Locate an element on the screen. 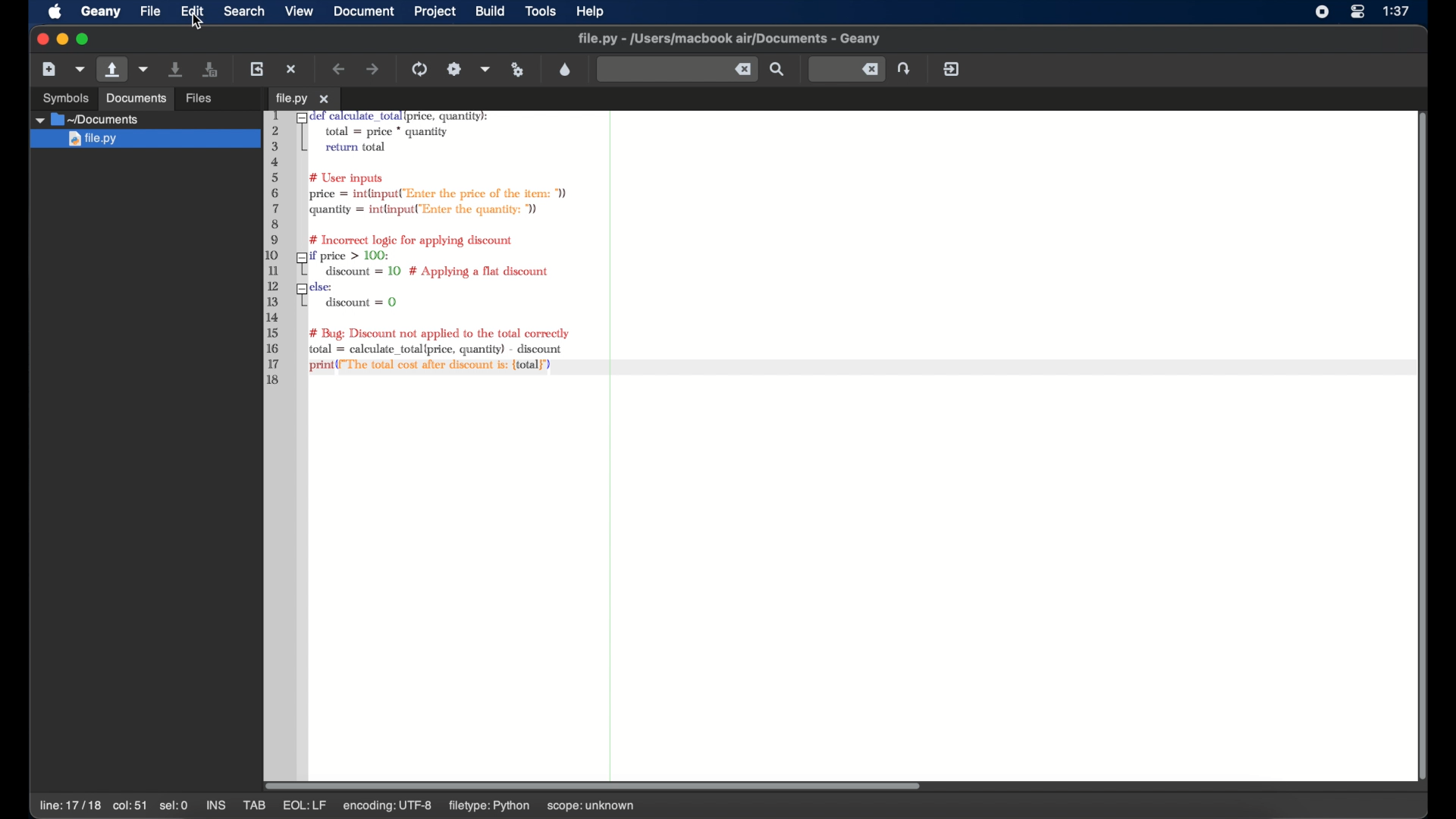 The width and height of the screenshot is (1456, 819). python syntax is located at coordinates (420, 249).